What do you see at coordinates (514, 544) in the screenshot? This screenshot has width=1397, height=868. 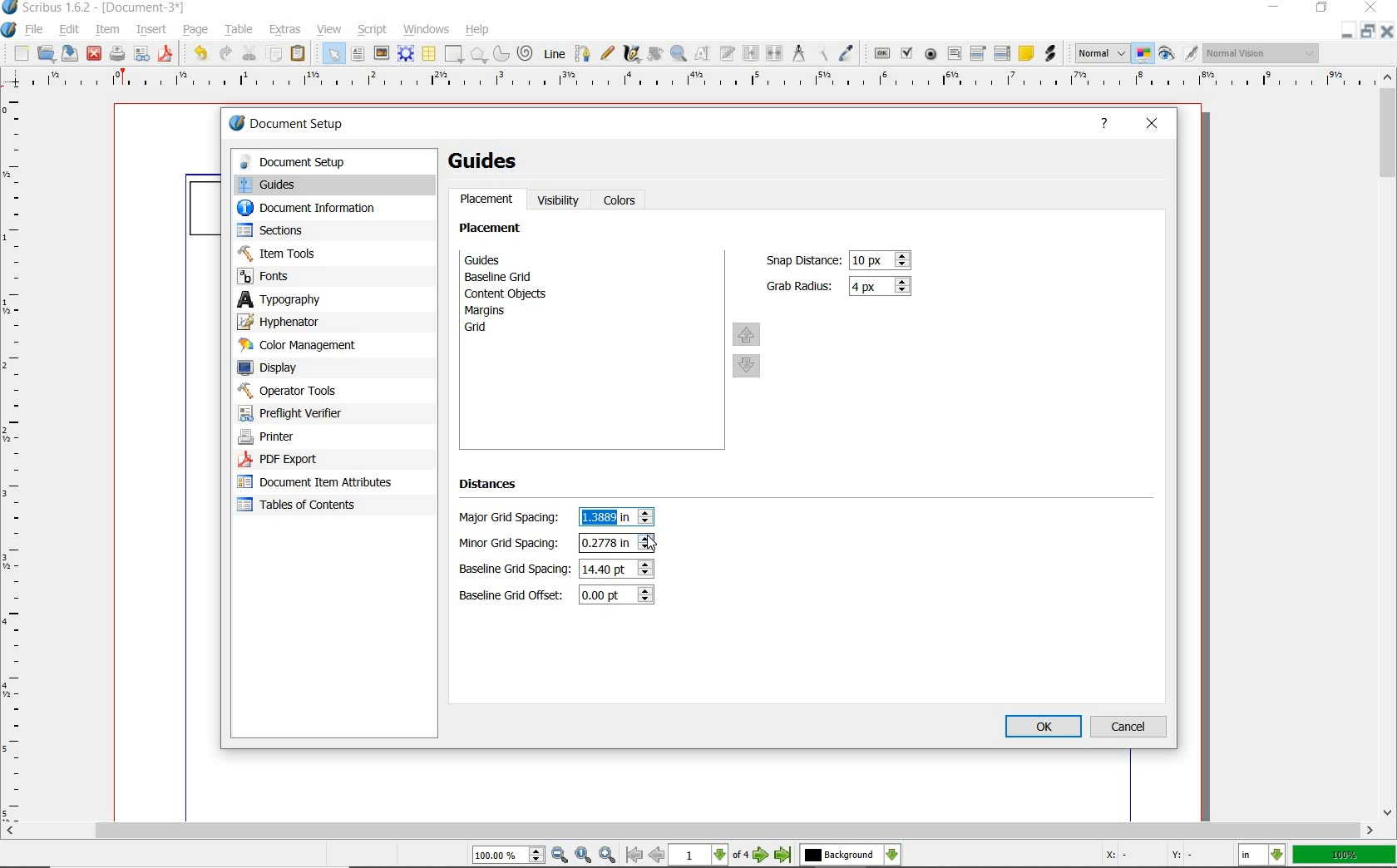 I see `Minor Grid Spacing:` at bounding box center [514, 544].